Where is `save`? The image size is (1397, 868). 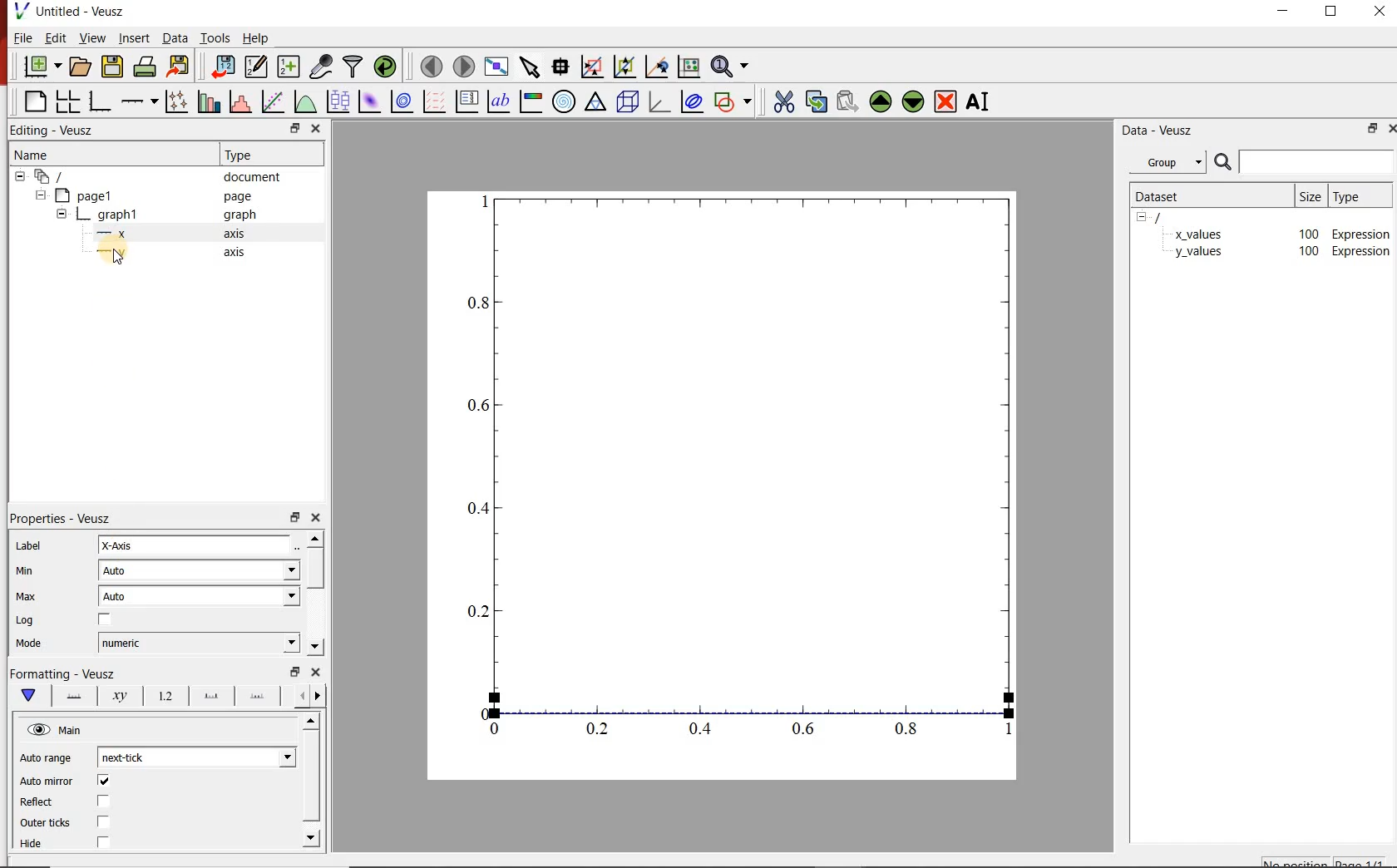 save is located at coordinates (113, 66).